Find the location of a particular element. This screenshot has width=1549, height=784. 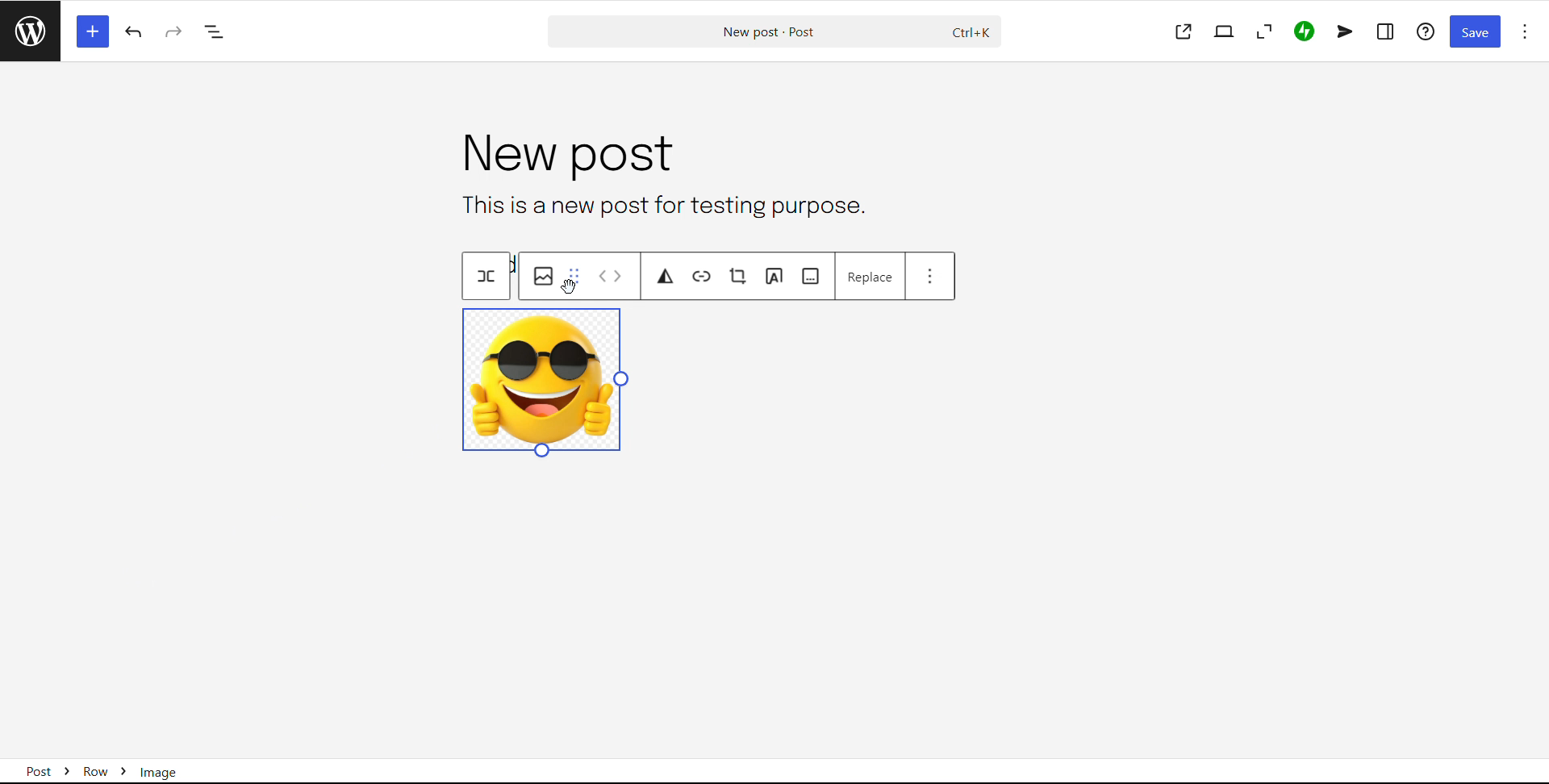

add text over image is located at coordinates (774, 276).